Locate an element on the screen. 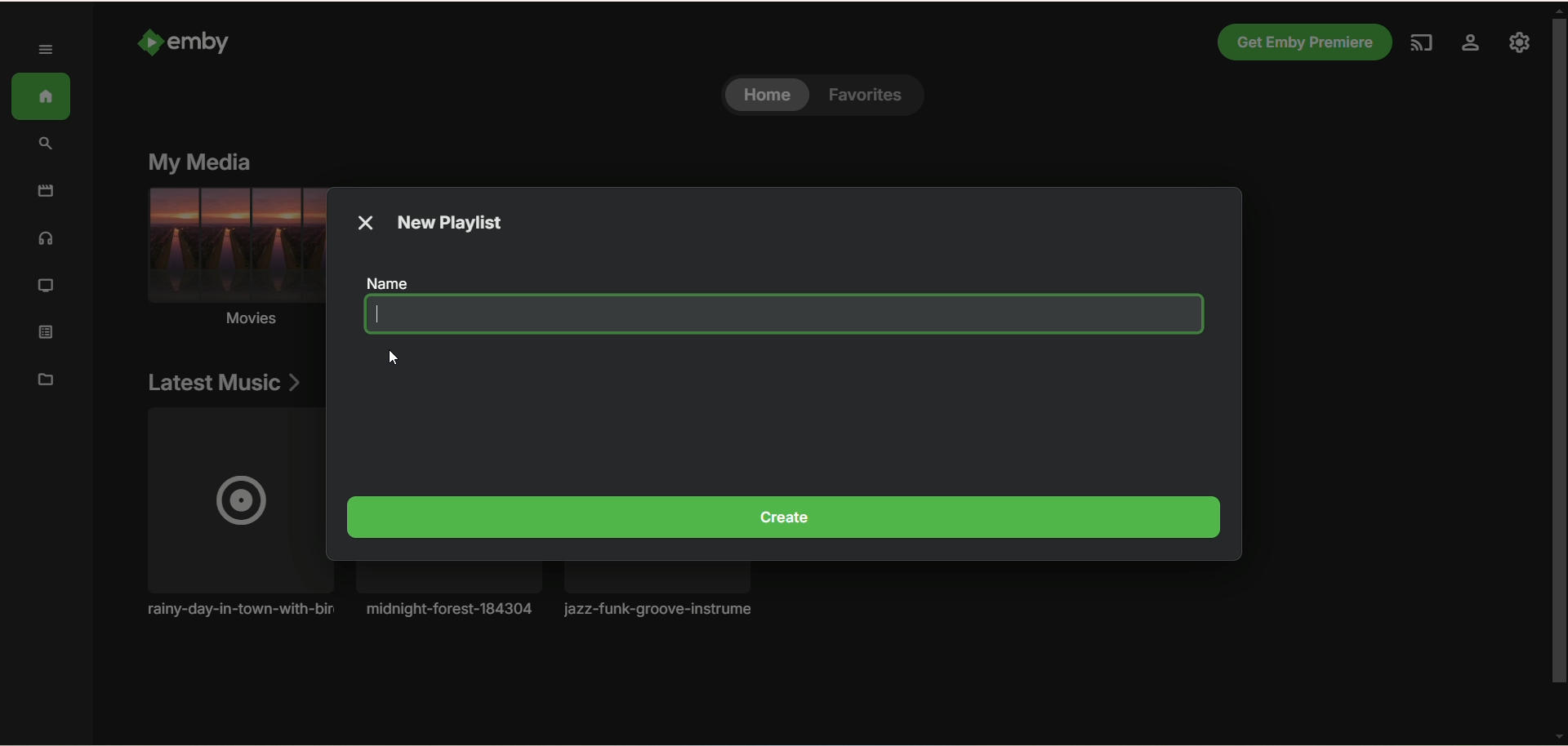 This screenshot has width=1568, height=746. favorites is located at coordinates (871, 96).